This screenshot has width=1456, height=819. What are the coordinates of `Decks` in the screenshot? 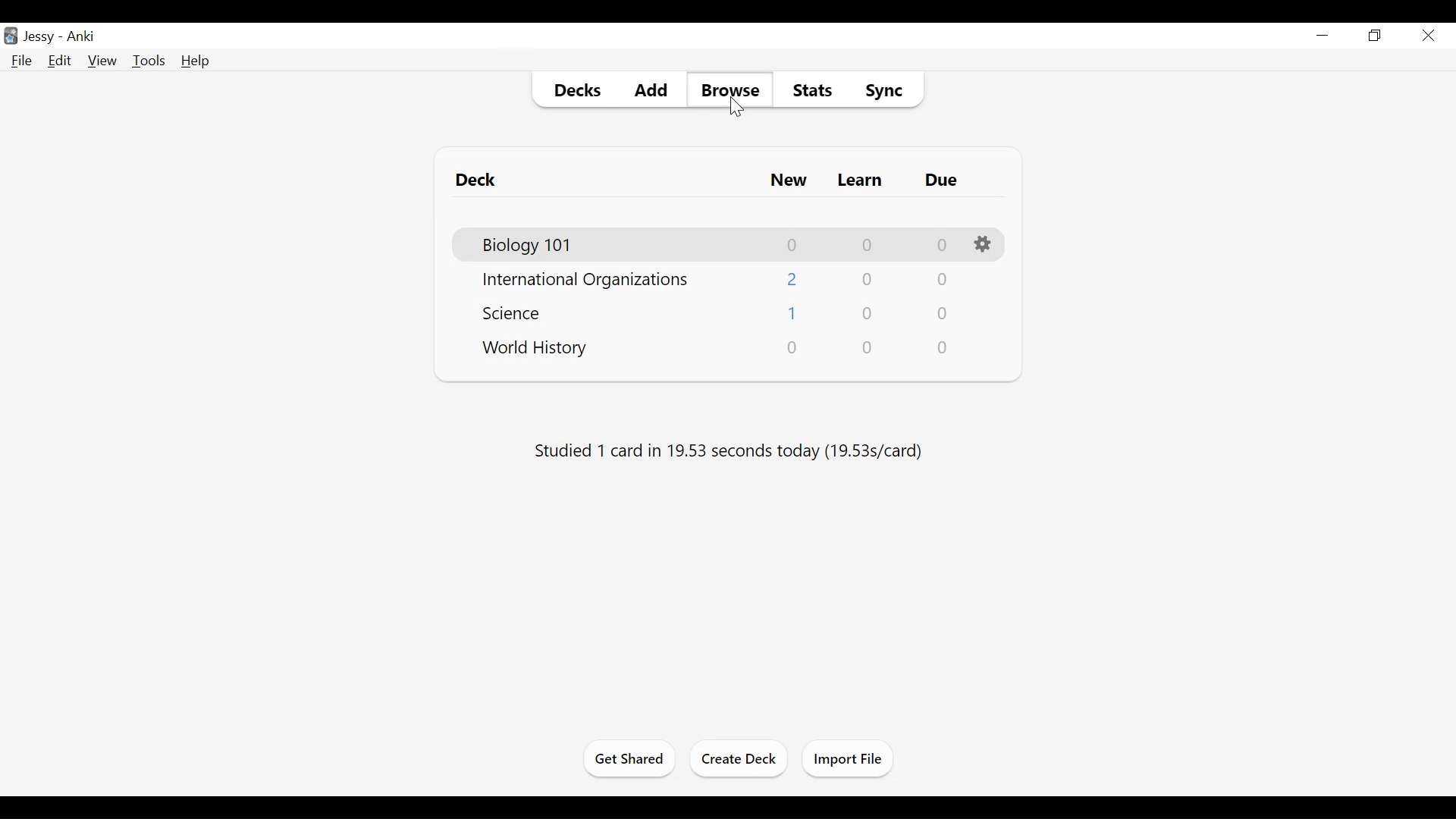 It's located at (573, 89).